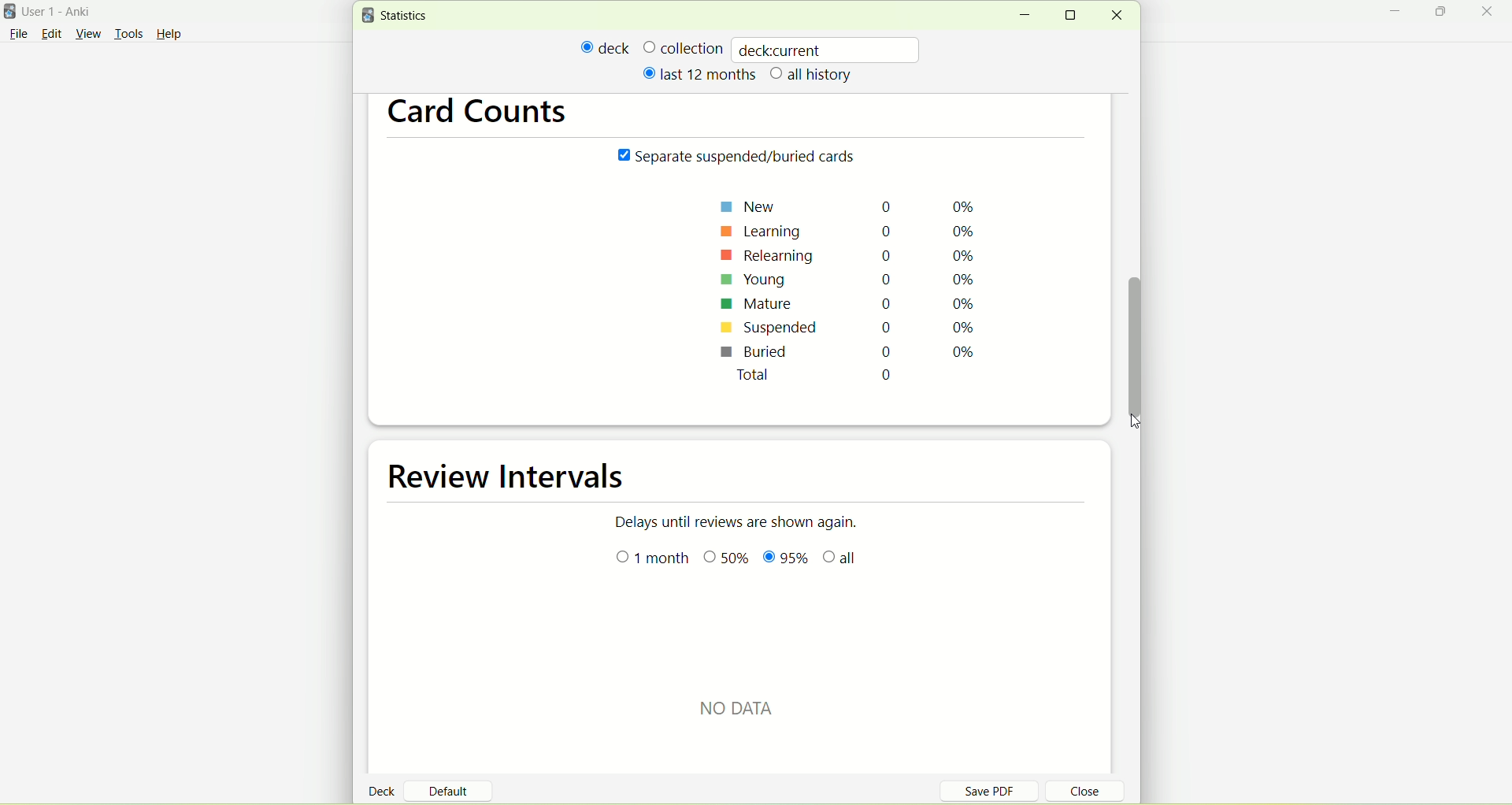 This screenshot has width=1512, height=805. I want to click on all history, so click(812, 76).